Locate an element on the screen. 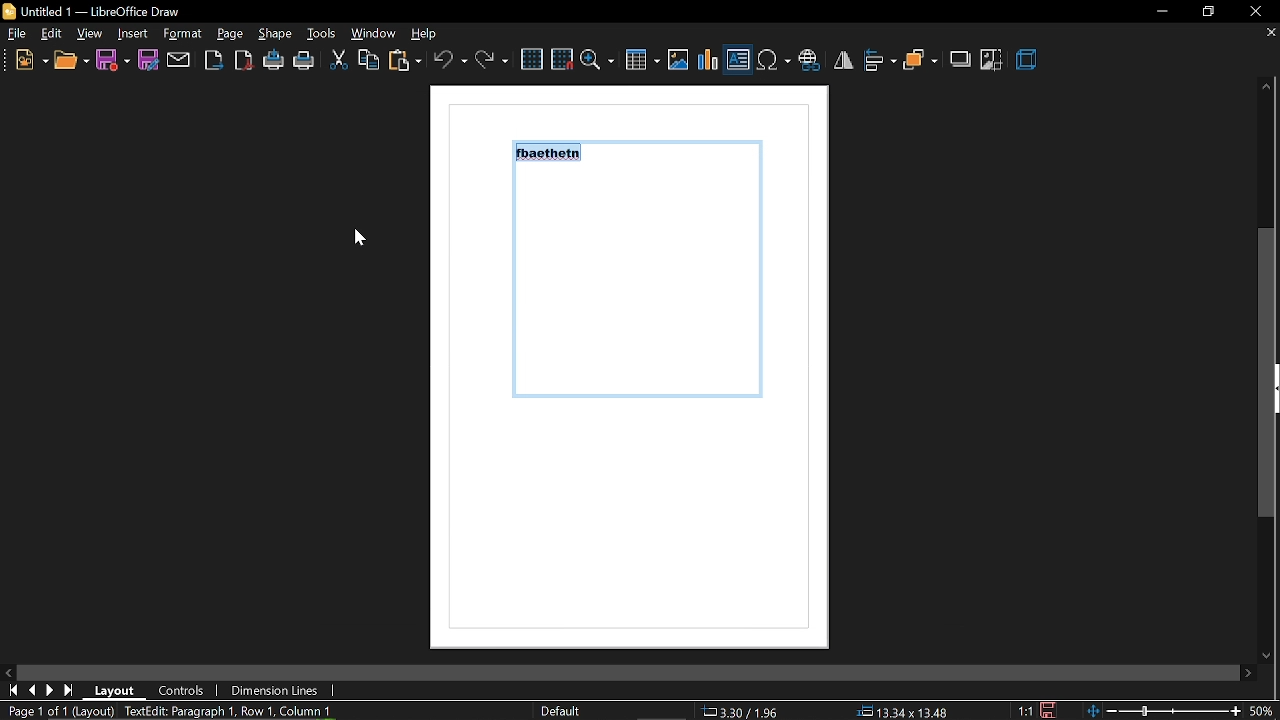 This screenshot has height=720, width=1280. zoom change is located at coordinates (1183, 713).